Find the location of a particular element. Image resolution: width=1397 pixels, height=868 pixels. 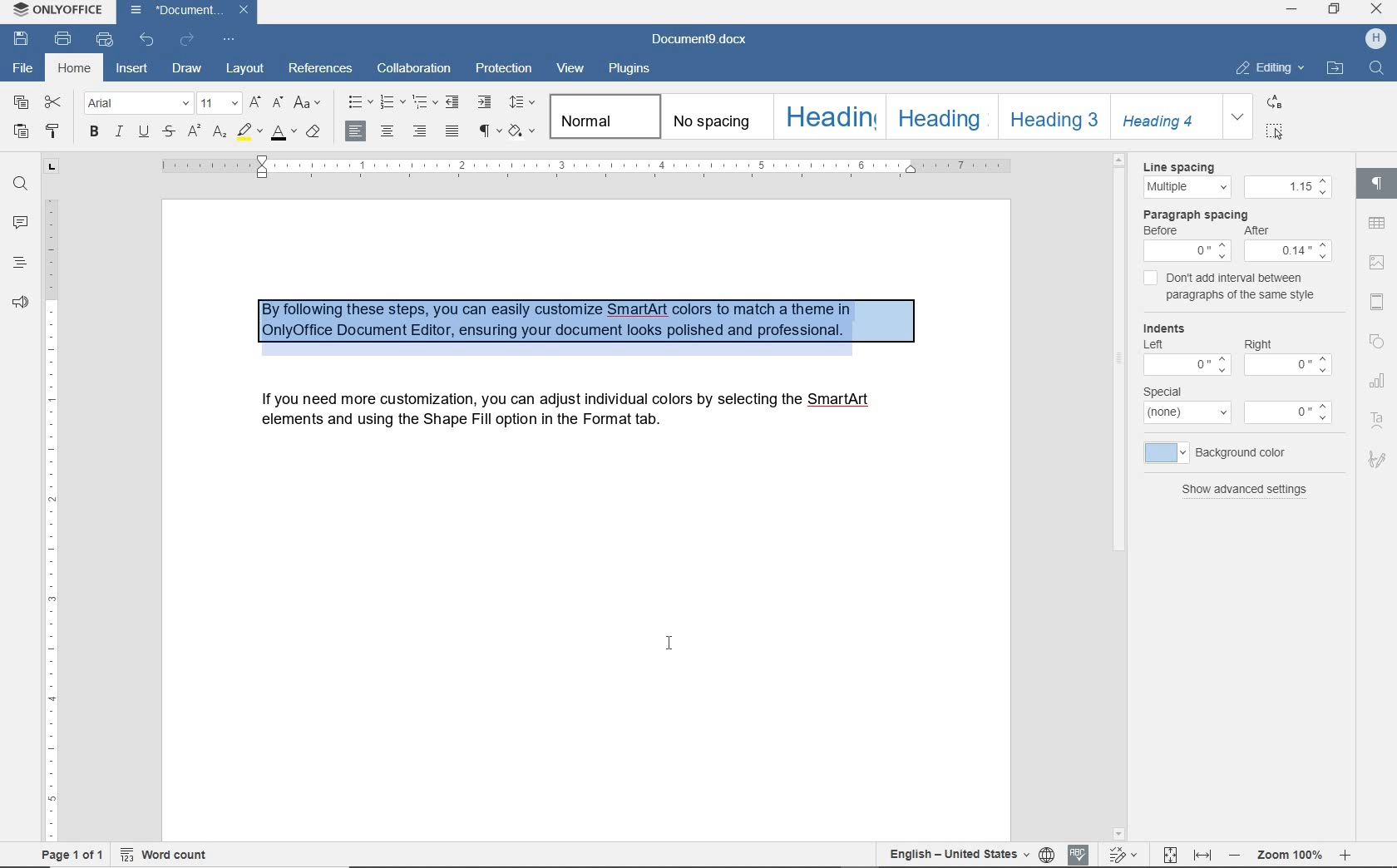

left is located at coordinates (1153, 346).